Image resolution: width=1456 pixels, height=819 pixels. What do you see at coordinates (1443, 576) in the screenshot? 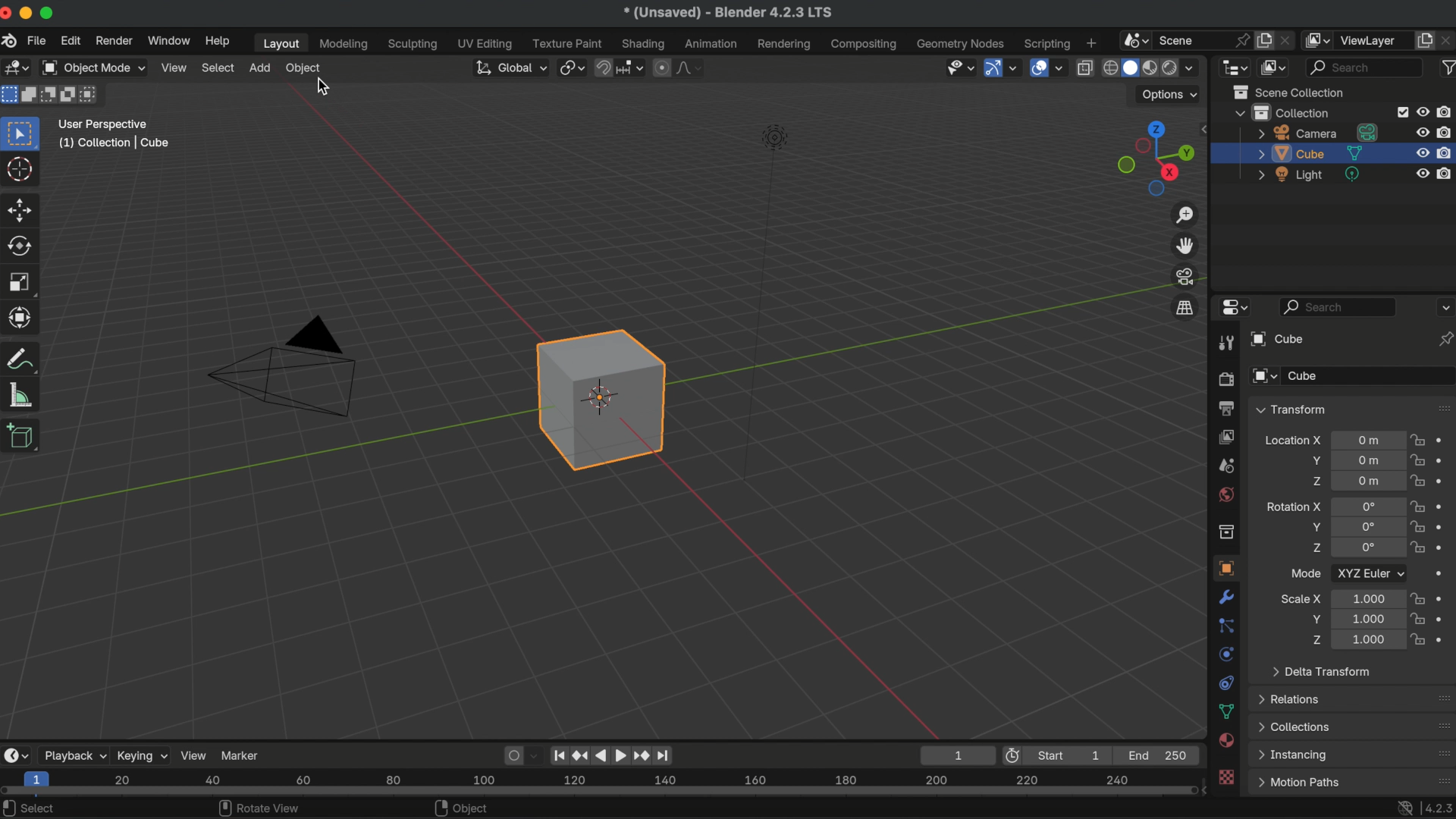
I see `animate property` at bounding box center [1443, 576].